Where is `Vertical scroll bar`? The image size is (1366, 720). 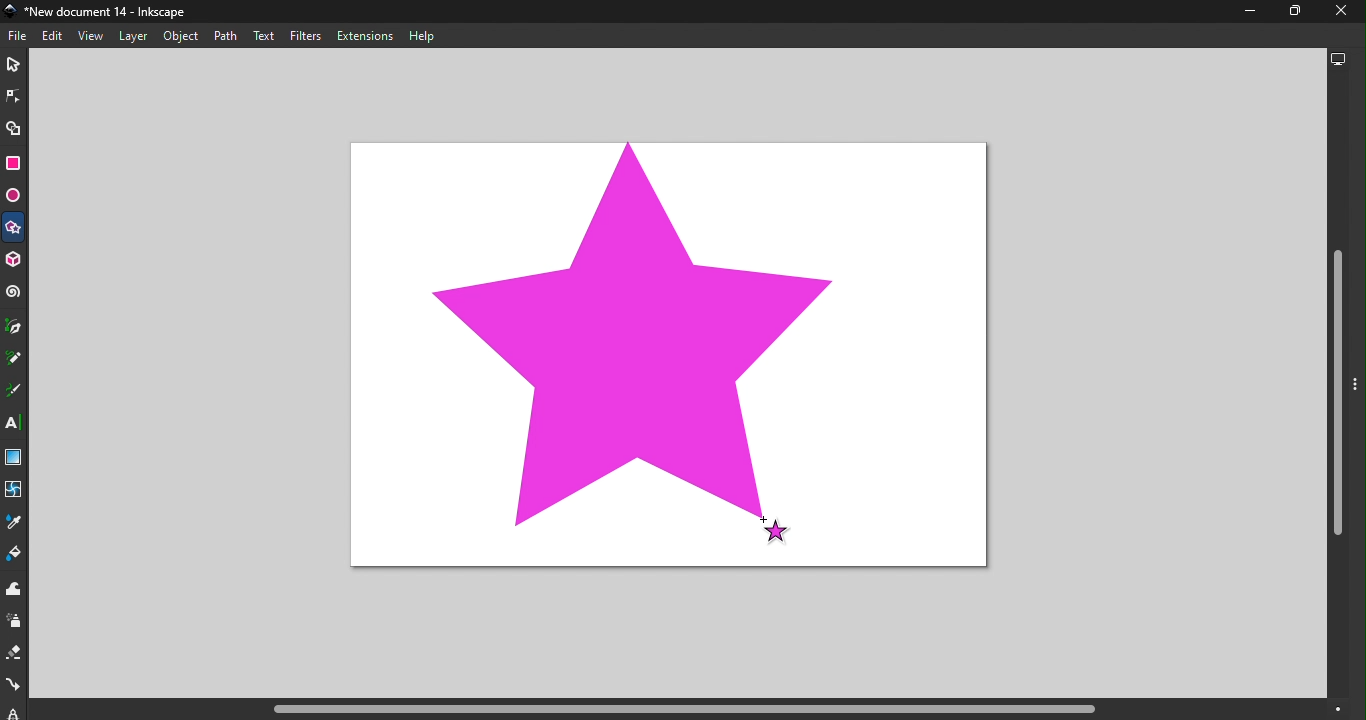
Vertical scroll bar is located at coordinates (1337, 386).